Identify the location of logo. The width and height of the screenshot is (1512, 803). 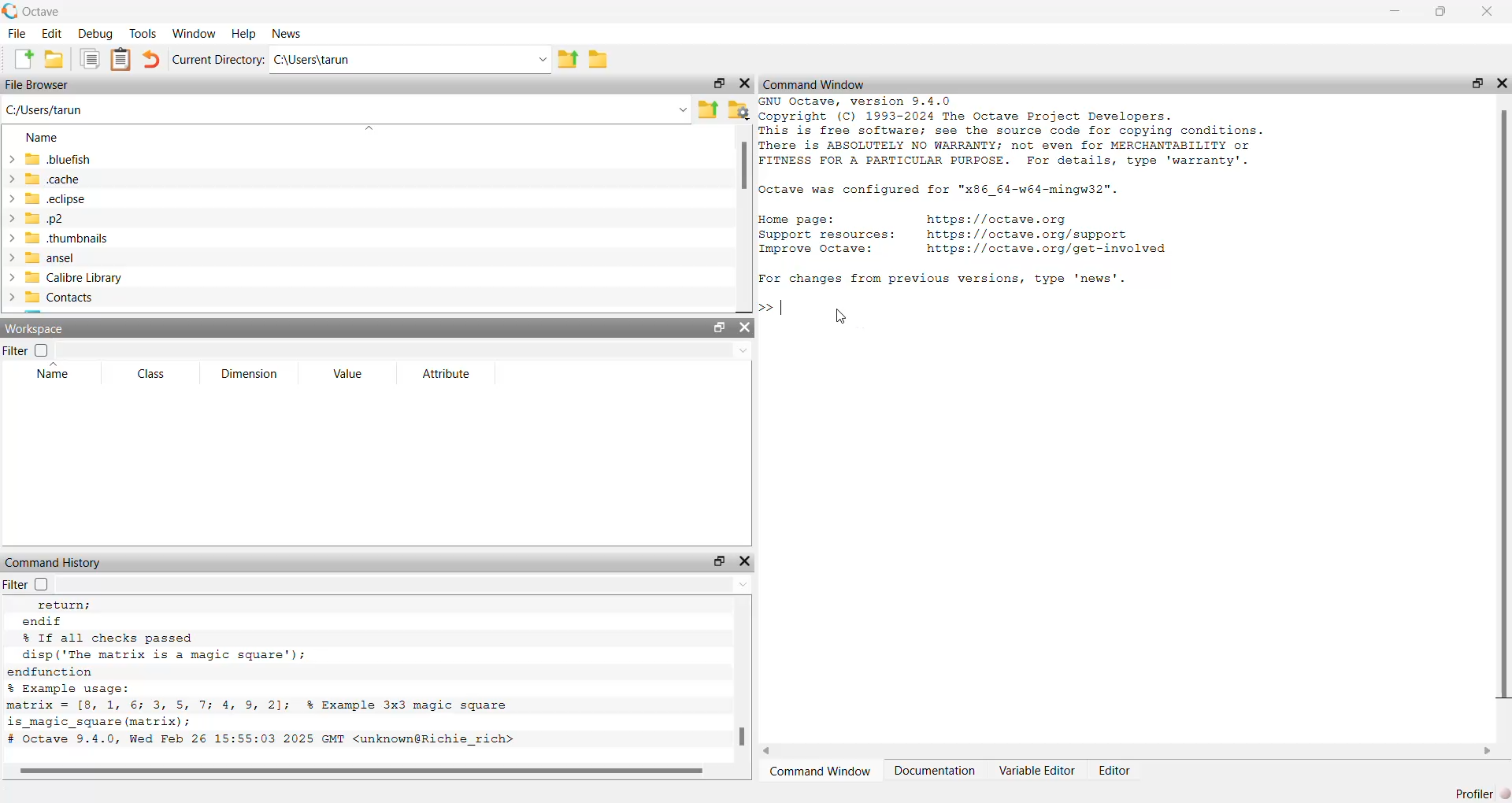
(10, 10).